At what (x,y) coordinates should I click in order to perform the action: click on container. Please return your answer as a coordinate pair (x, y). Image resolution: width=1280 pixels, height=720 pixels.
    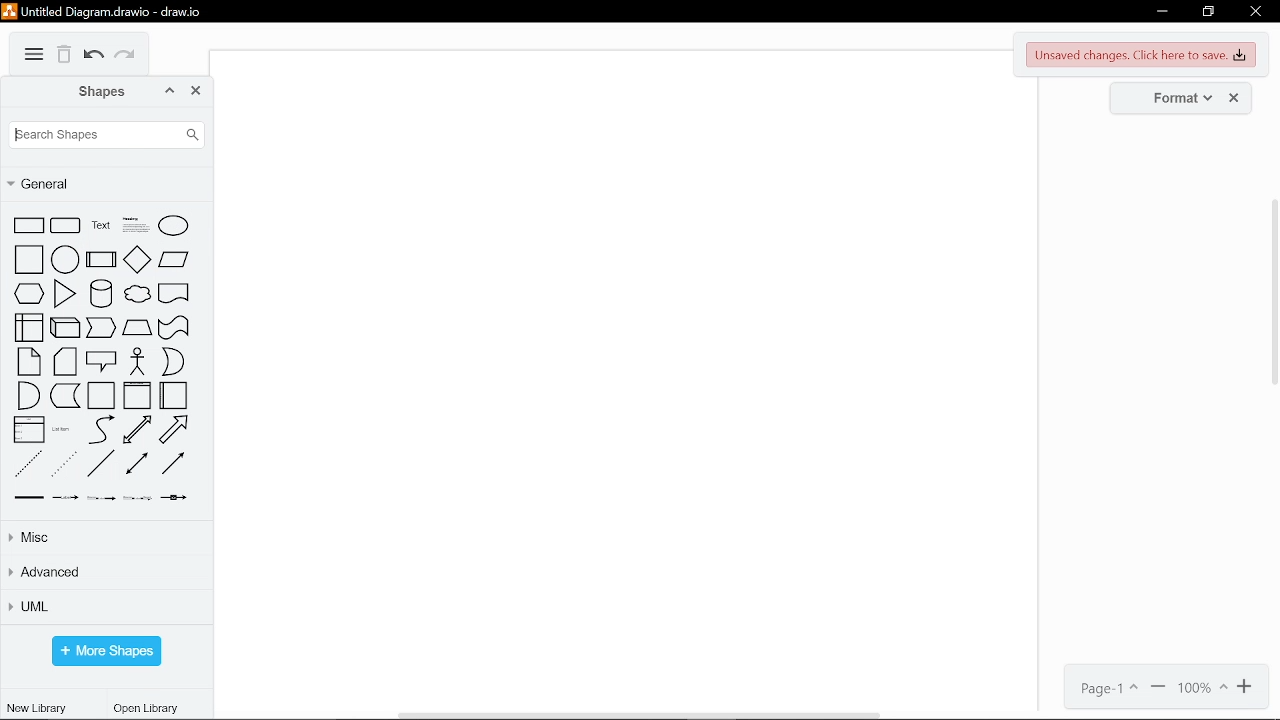
    Looking at the image, I should click on (101, 397).